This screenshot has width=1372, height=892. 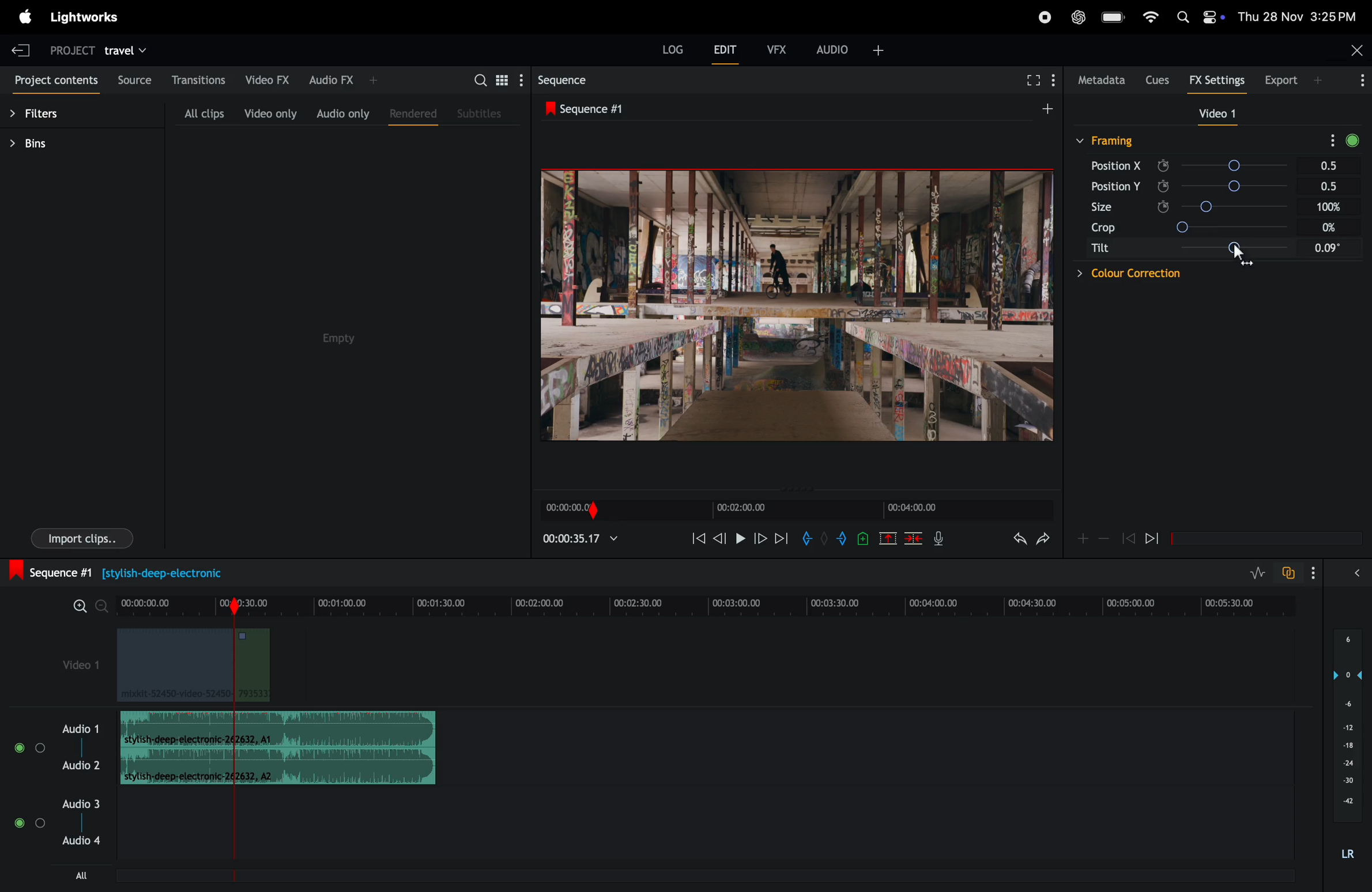 I want to click on mic, so click(x=939, y=538).